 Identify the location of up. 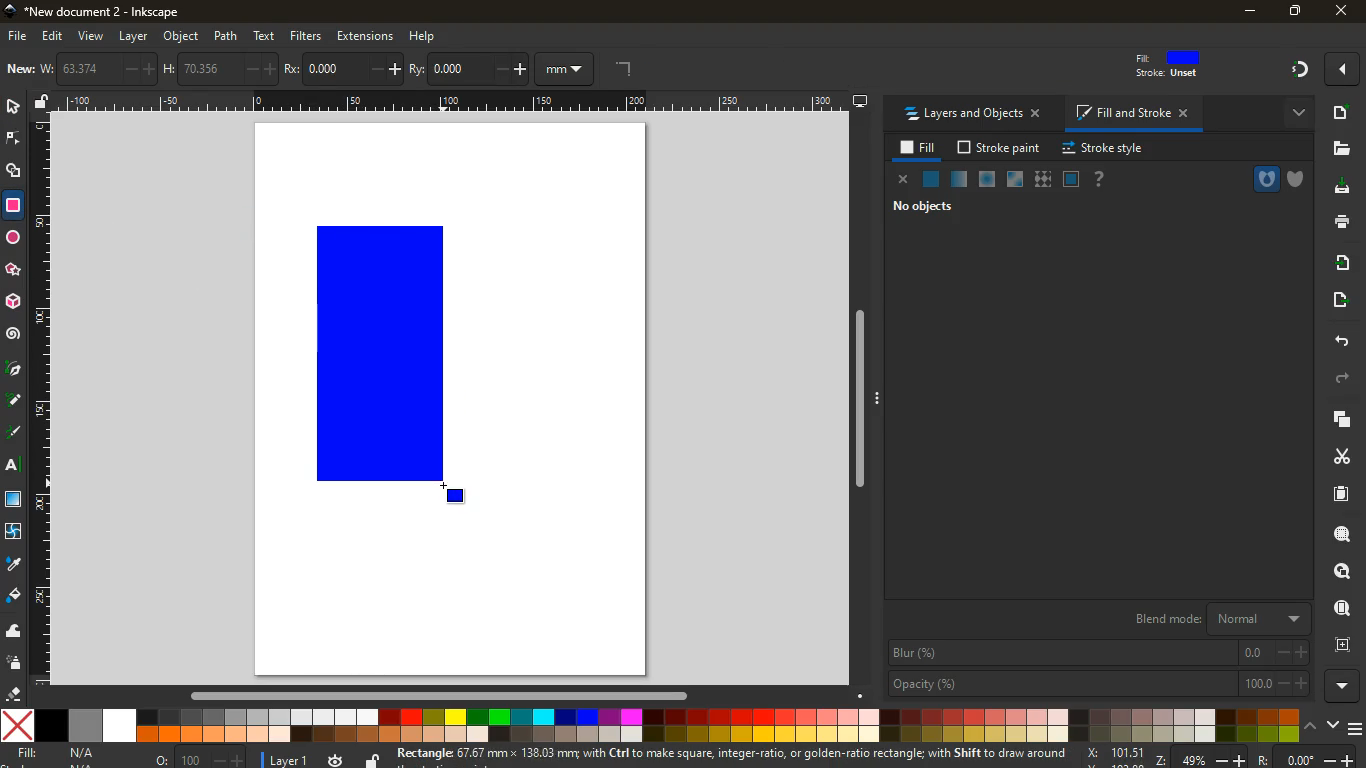
(1313, 727).